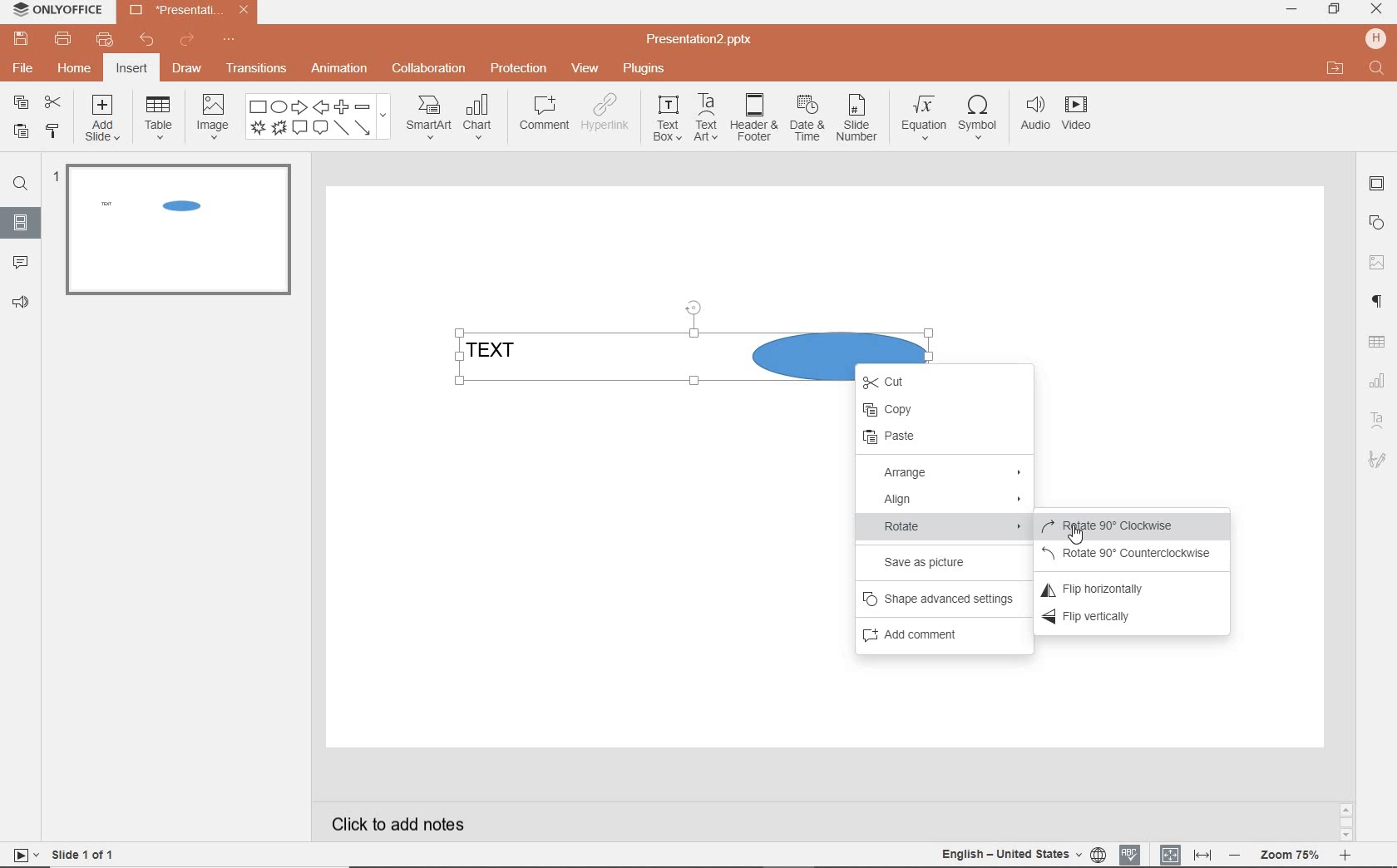  Describe the element at coordinates (76, 69) in the screenshot. I see `home` at that location.